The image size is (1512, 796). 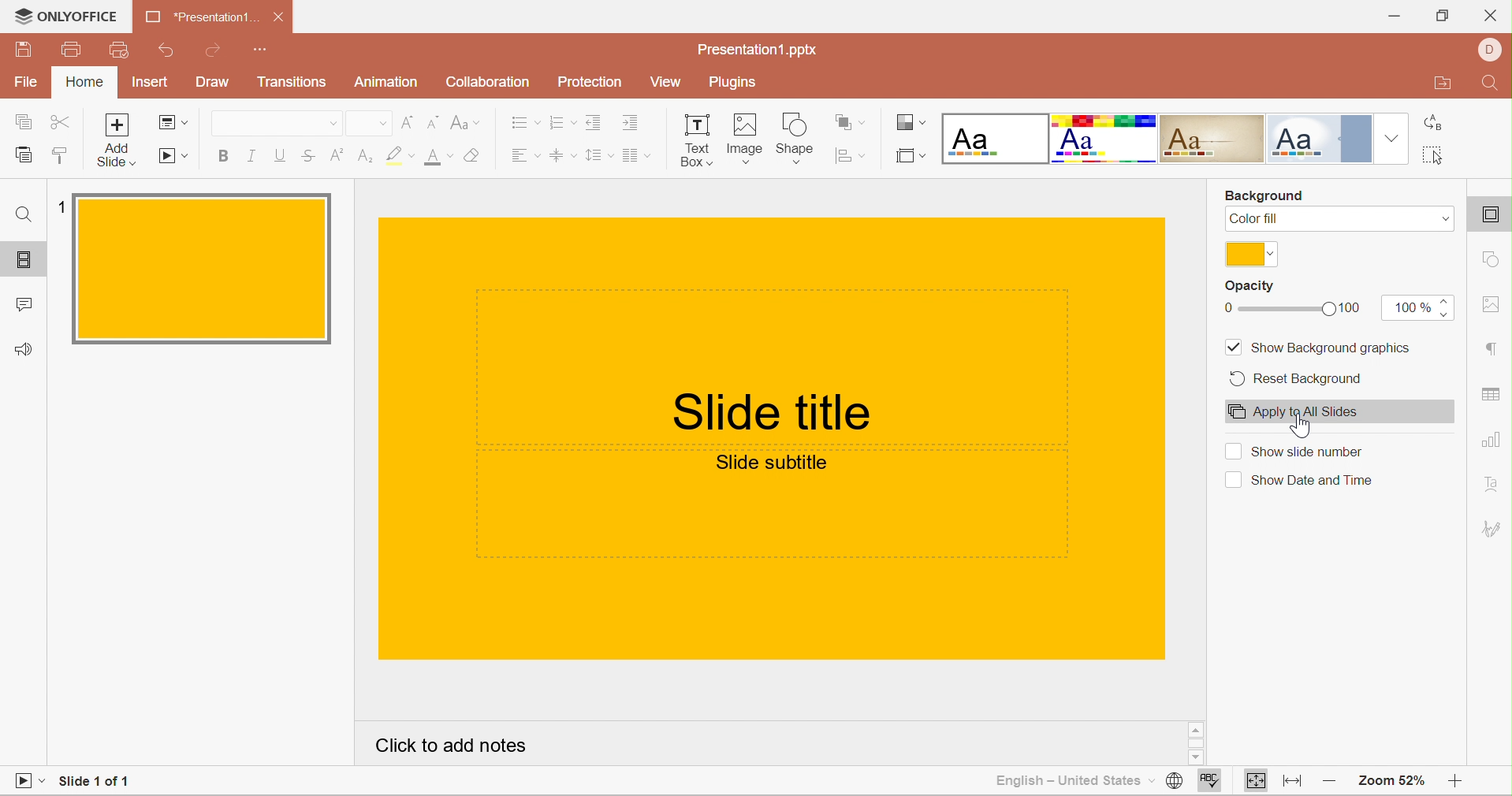 I want to click on Scroll Down, so click(x=1454, y=760).